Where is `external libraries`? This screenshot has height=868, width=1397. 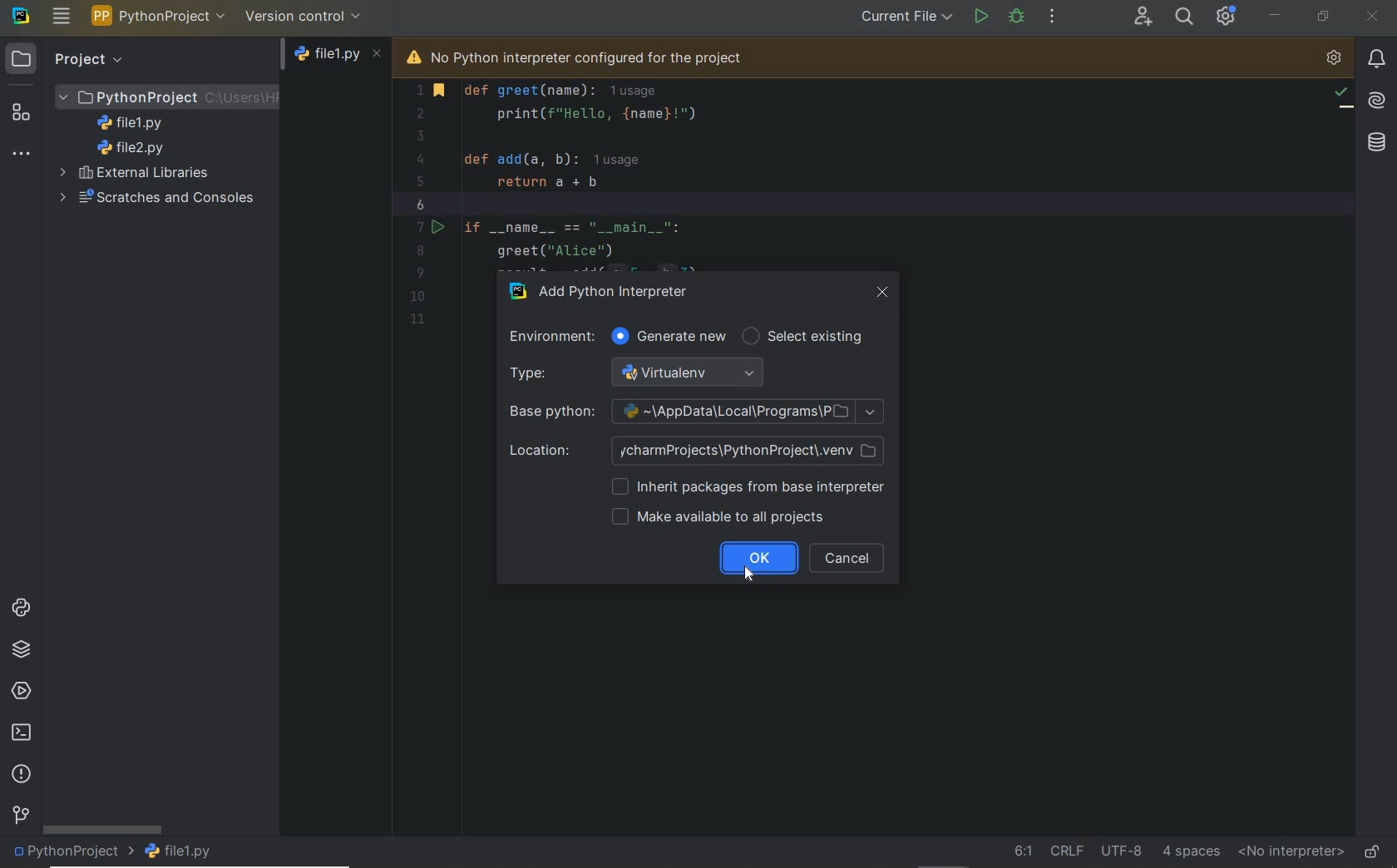 external libraries is located at coordinates (138, 172).